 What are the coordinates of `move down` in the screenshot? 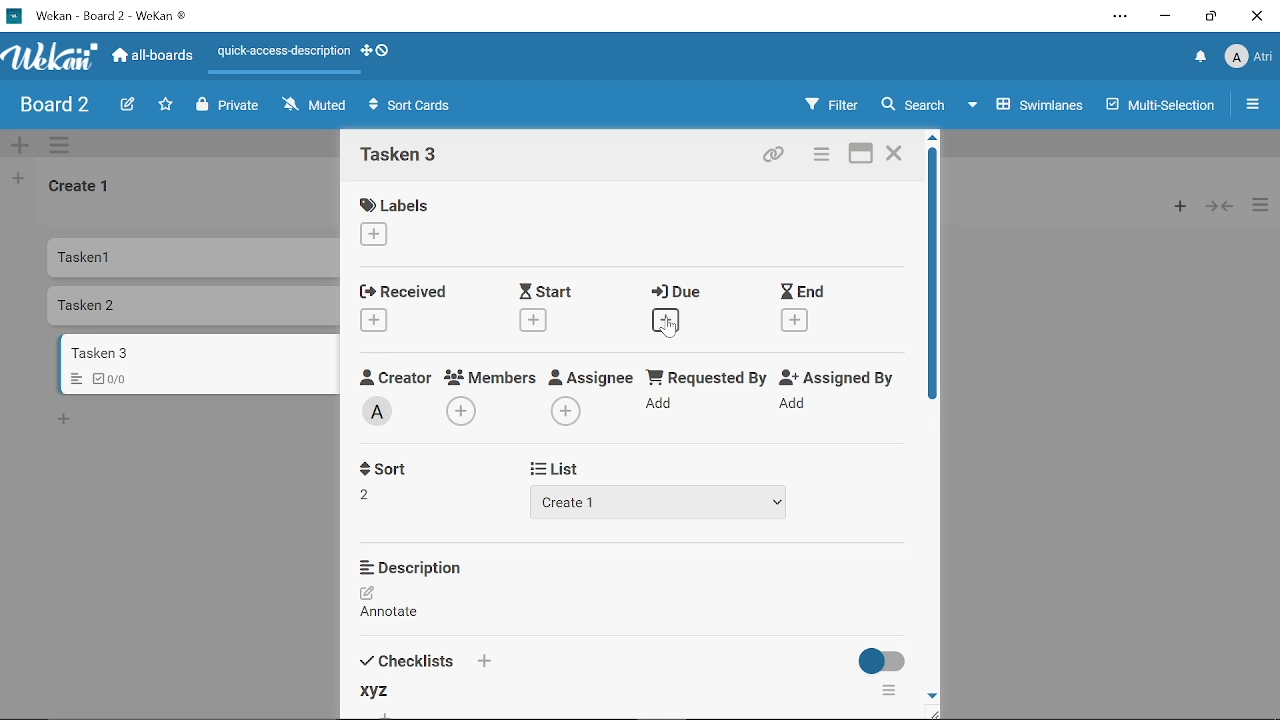 It's located at (933, 693).